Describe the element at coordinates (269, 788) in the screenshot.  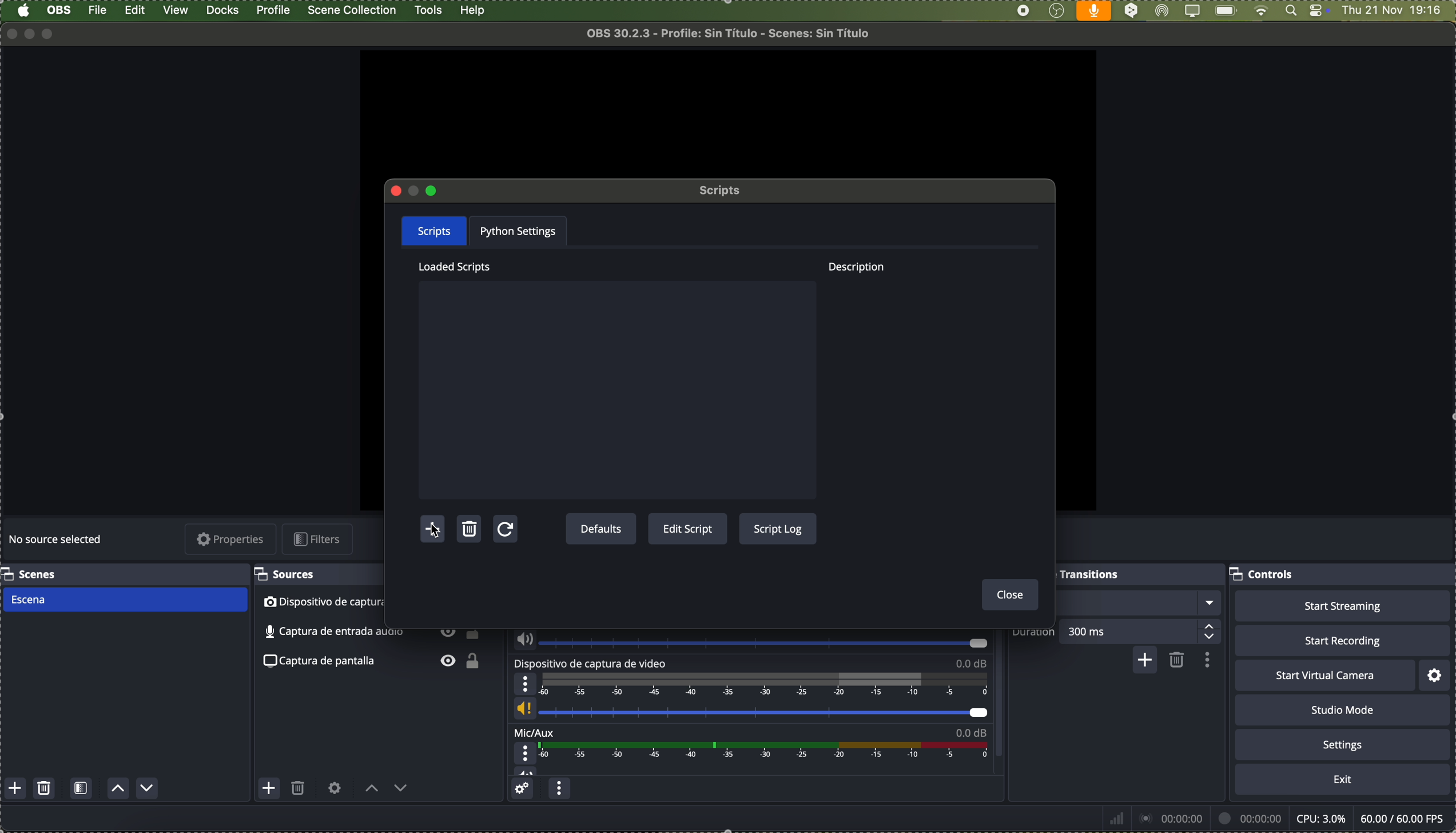
I see `add source` at that location.